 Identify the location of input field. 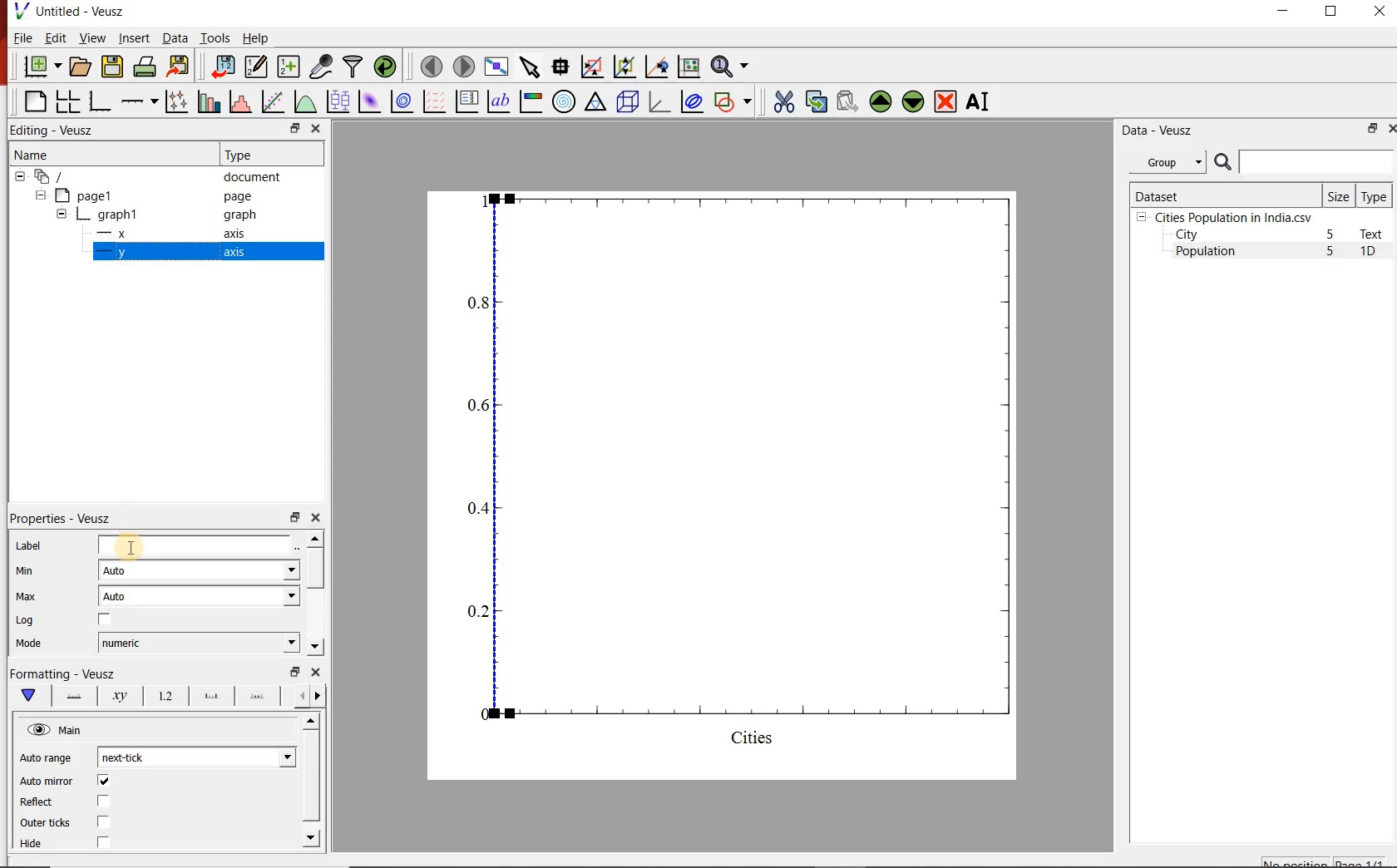
(199, 545).